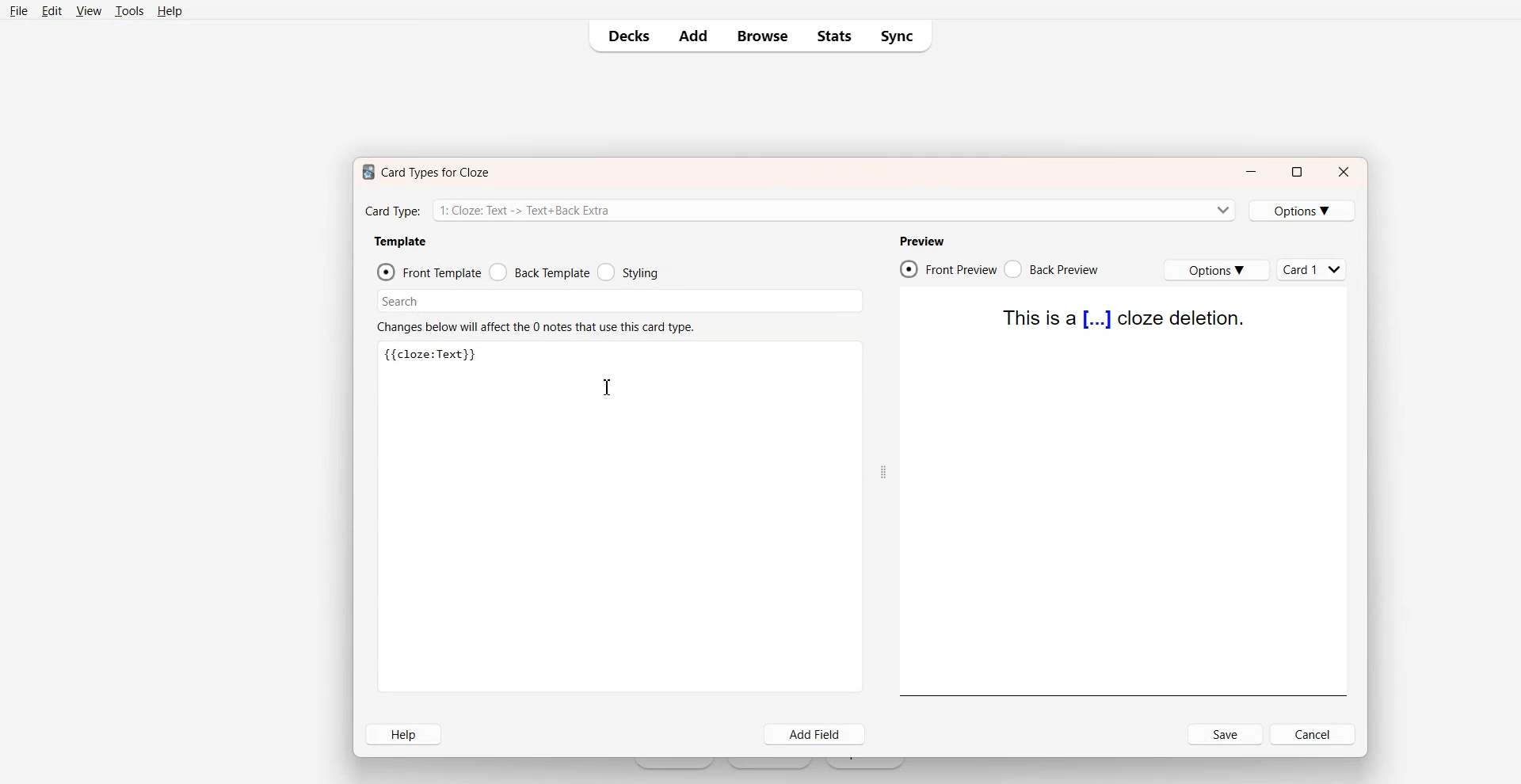  I want to click on Edit, so click(51, 10).